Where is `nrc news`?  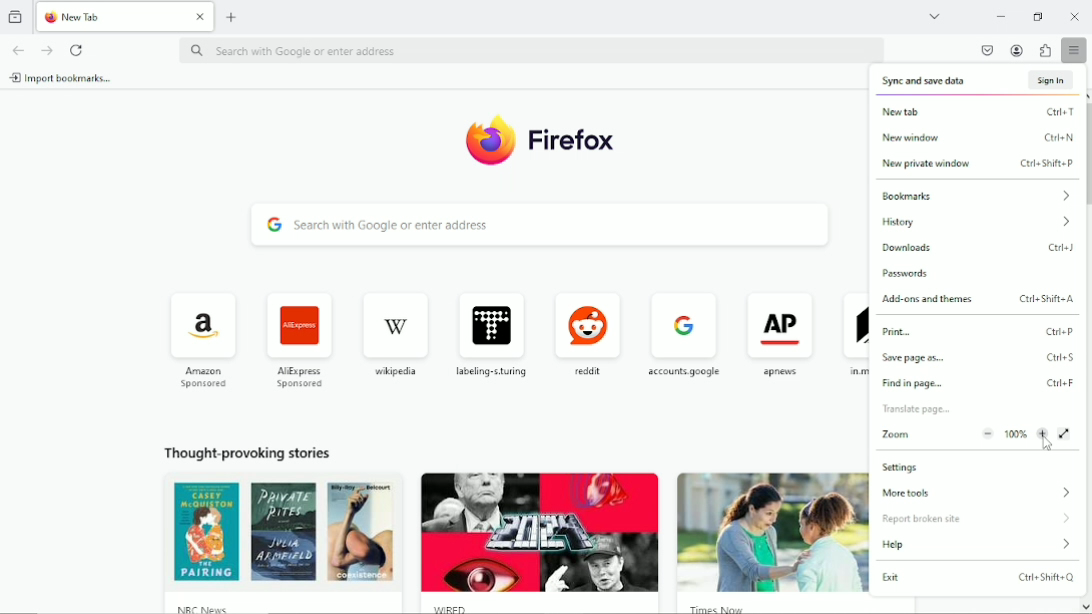 nrc news is located at coordinates (196, 607).